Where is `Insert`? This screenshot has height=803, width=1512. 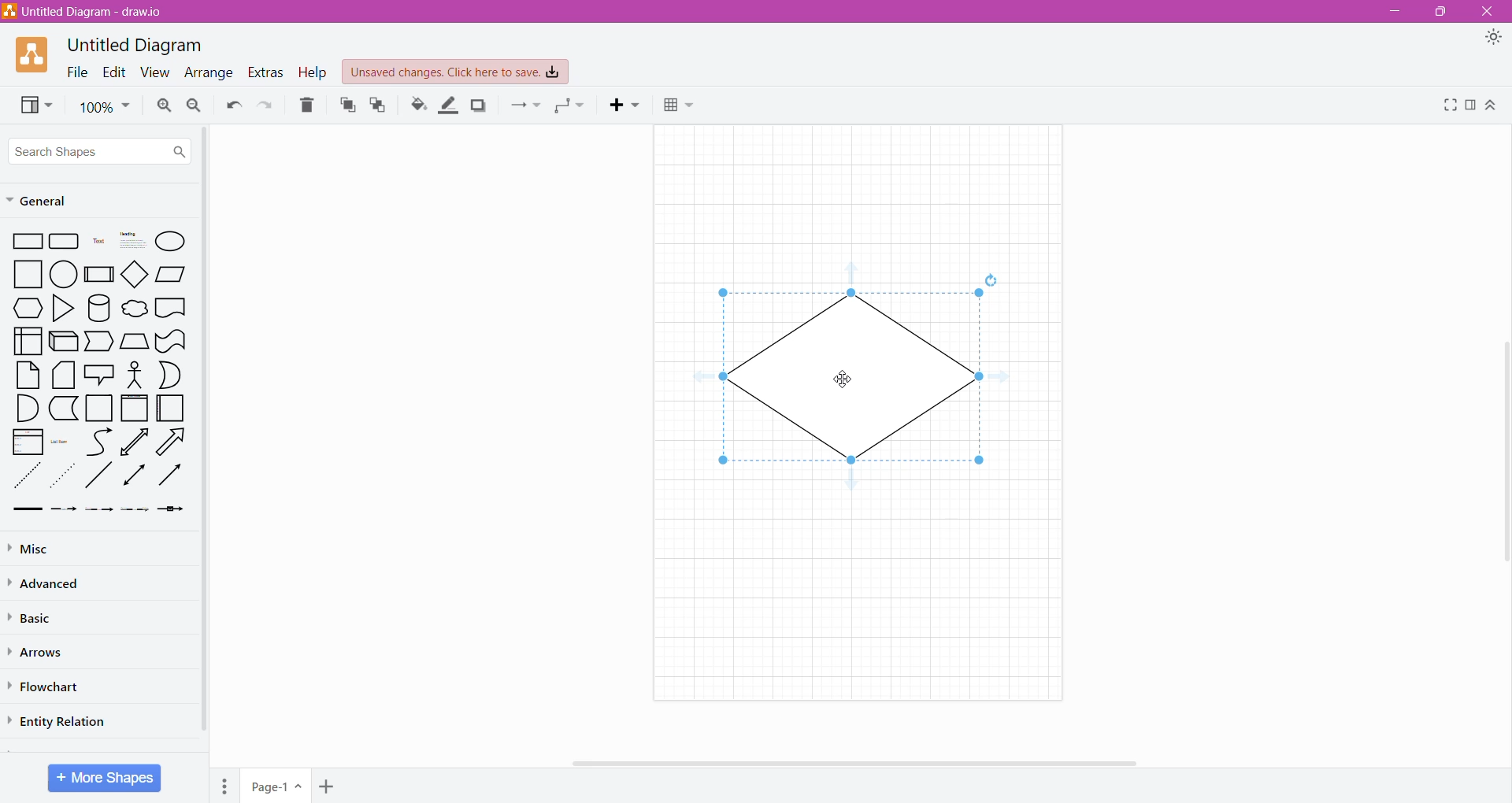 Insert is located at coordinates (623, 105).